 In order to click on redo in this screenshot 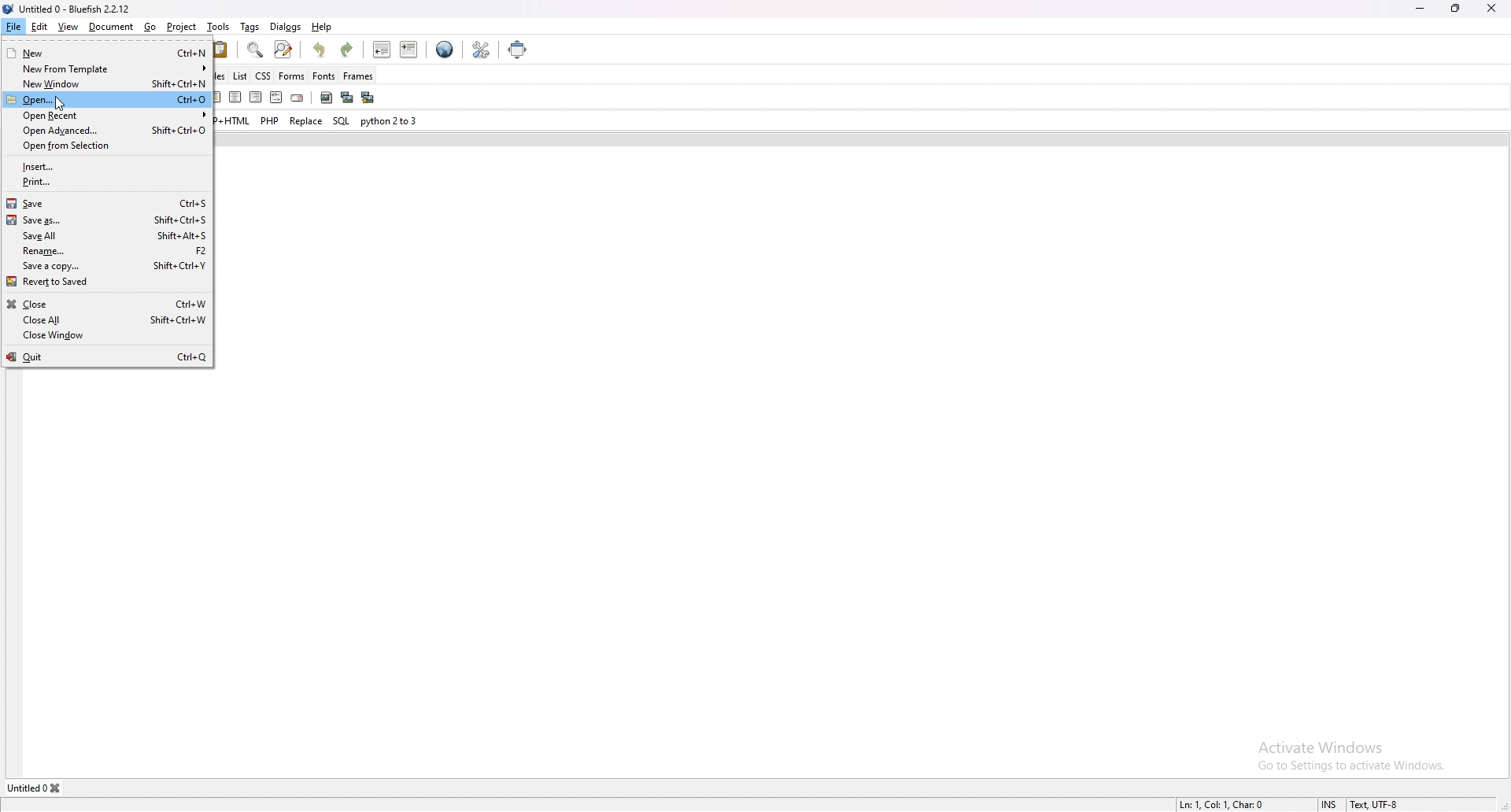, I will do `click(350, 50)`.